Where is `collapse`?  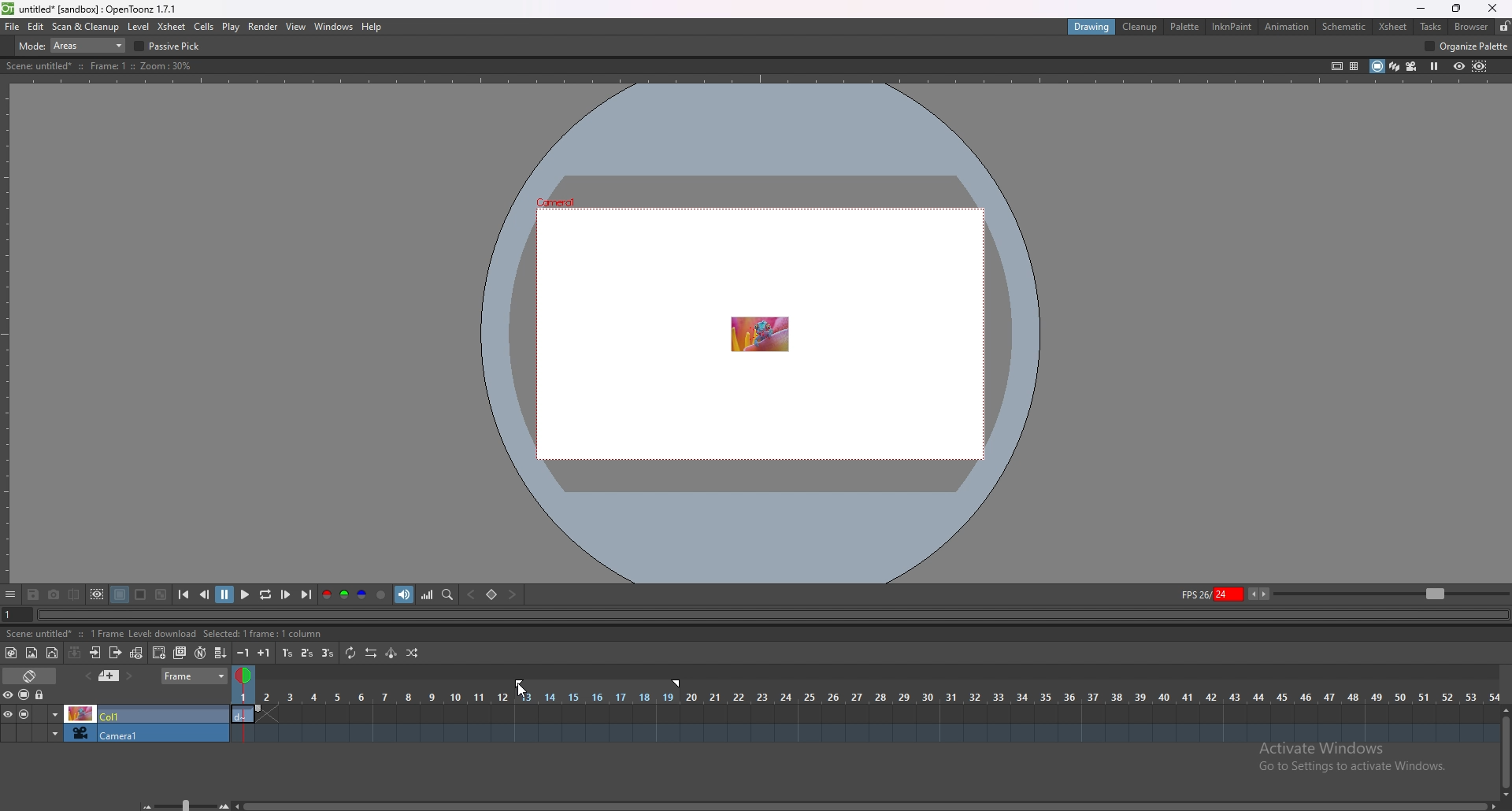
collapse is located at coordinates (75, 653).